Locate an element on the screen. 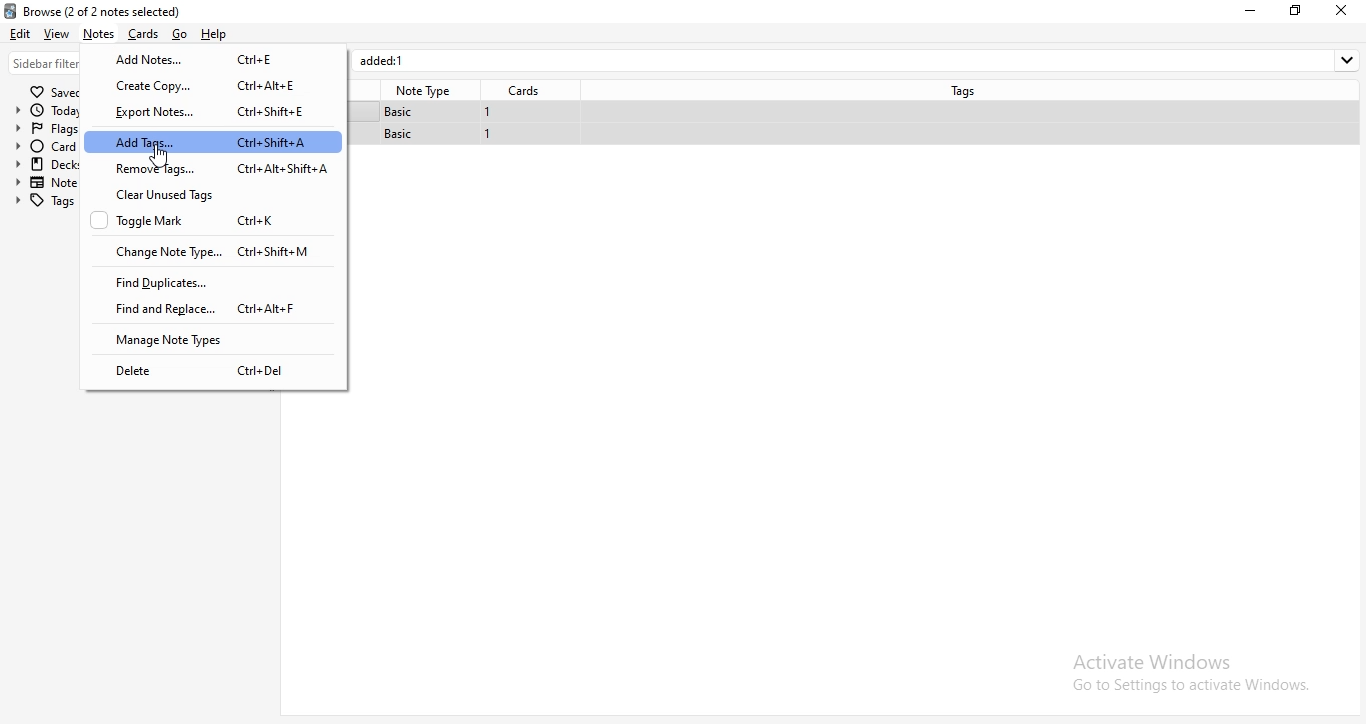  close is located at coordinates (1345, 10).